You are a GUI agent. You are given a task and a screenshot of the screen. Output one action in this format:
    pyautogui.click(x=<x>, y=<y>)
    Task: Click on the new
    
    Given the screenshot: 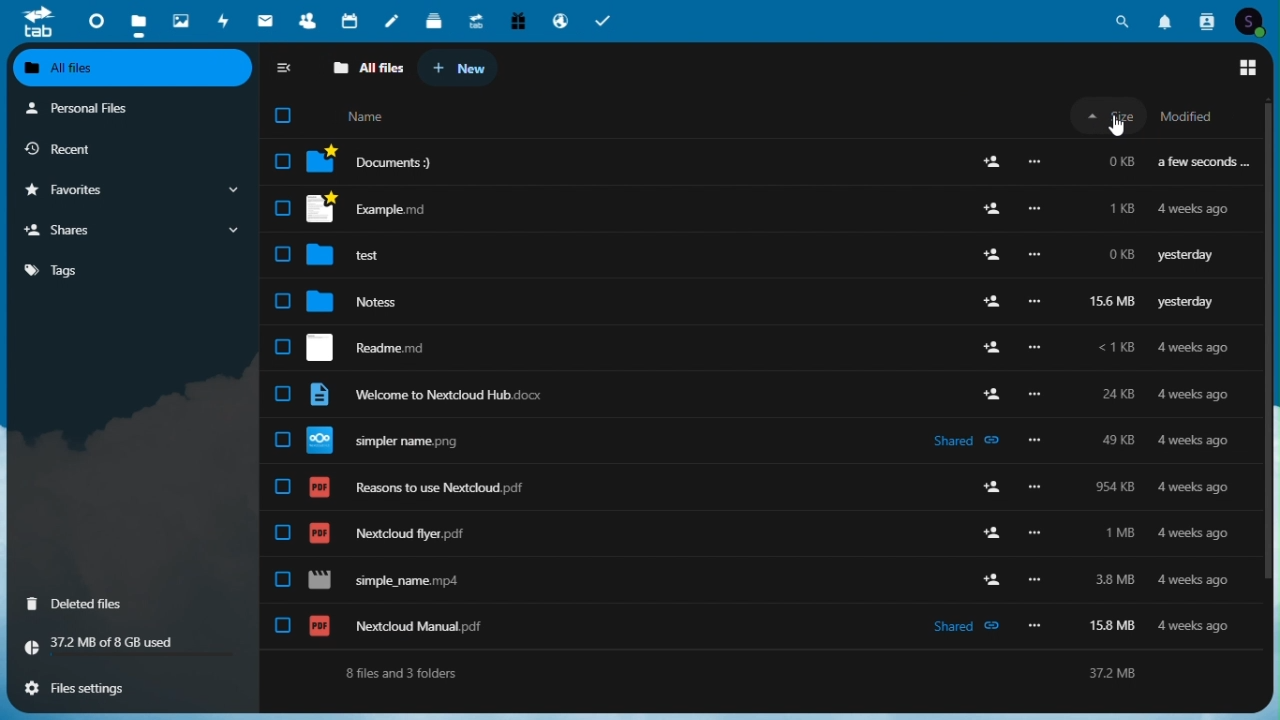 What is the action you would take?
    pyautogui.click(x=459, y=70)
    